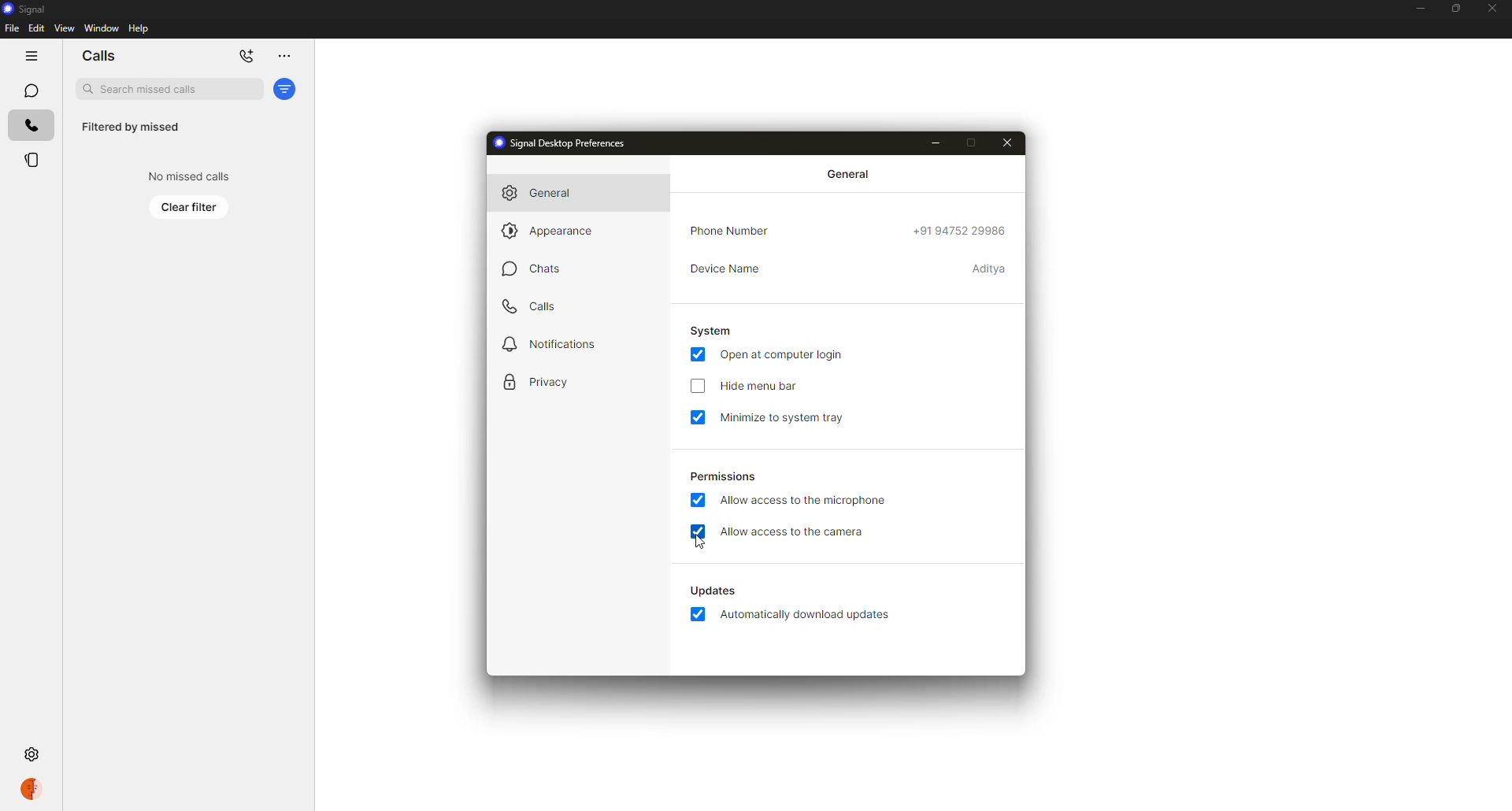  Describe the element at coordinates (102, 29) in the screenshot. I see `window` at that location.